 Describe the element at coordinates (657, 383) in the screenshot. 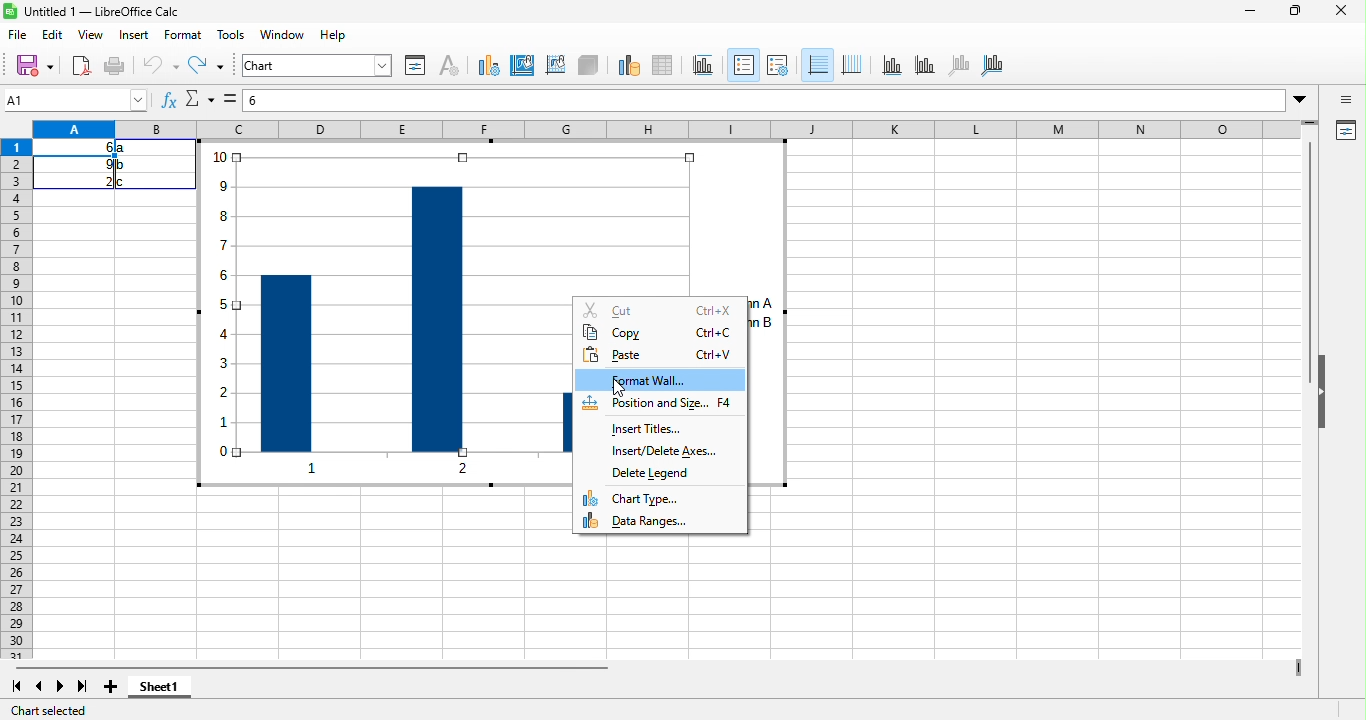

I see `format wall` at that location.